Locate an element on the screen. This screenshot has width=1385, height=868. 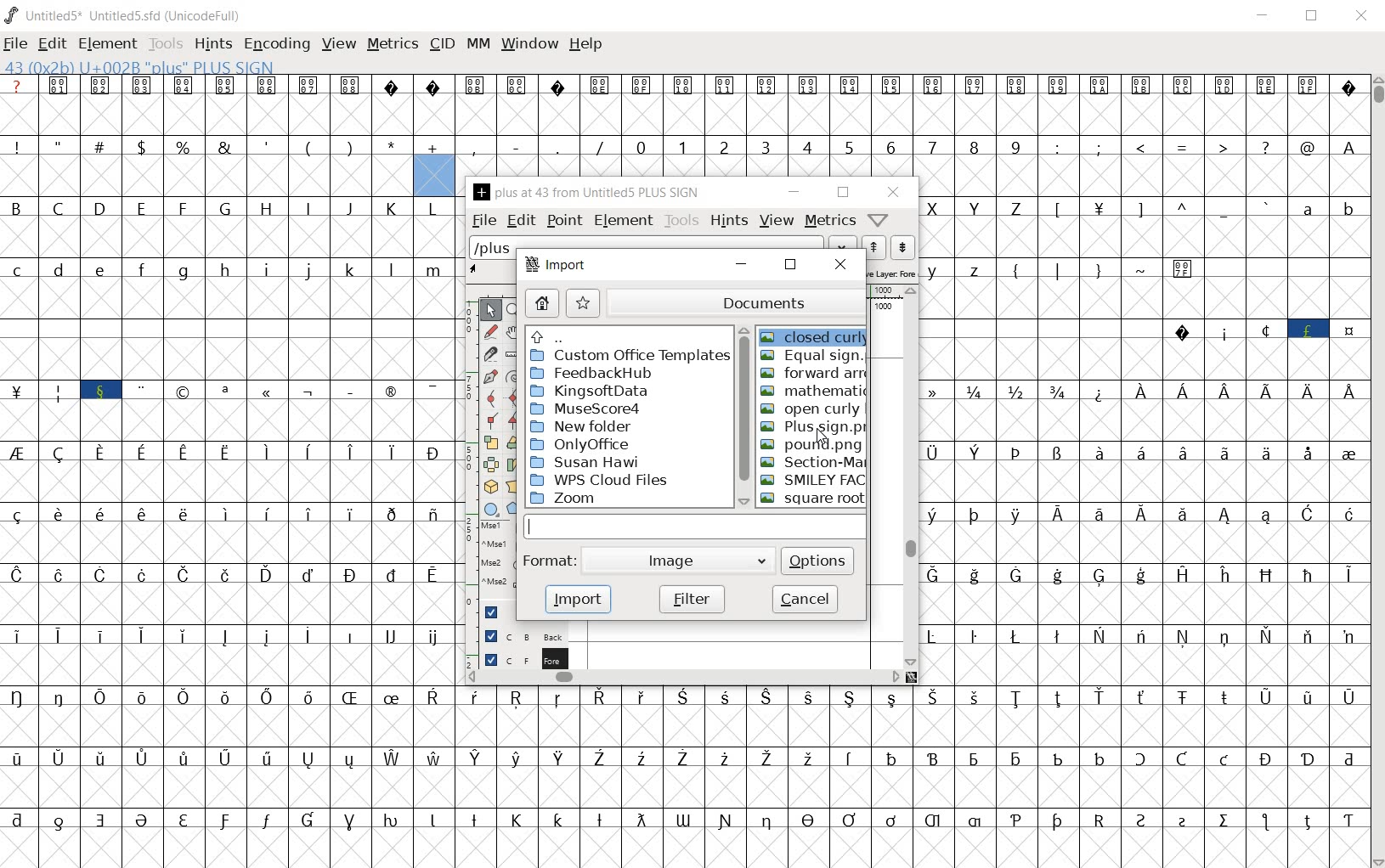
file is located at coordinates (483, 221).